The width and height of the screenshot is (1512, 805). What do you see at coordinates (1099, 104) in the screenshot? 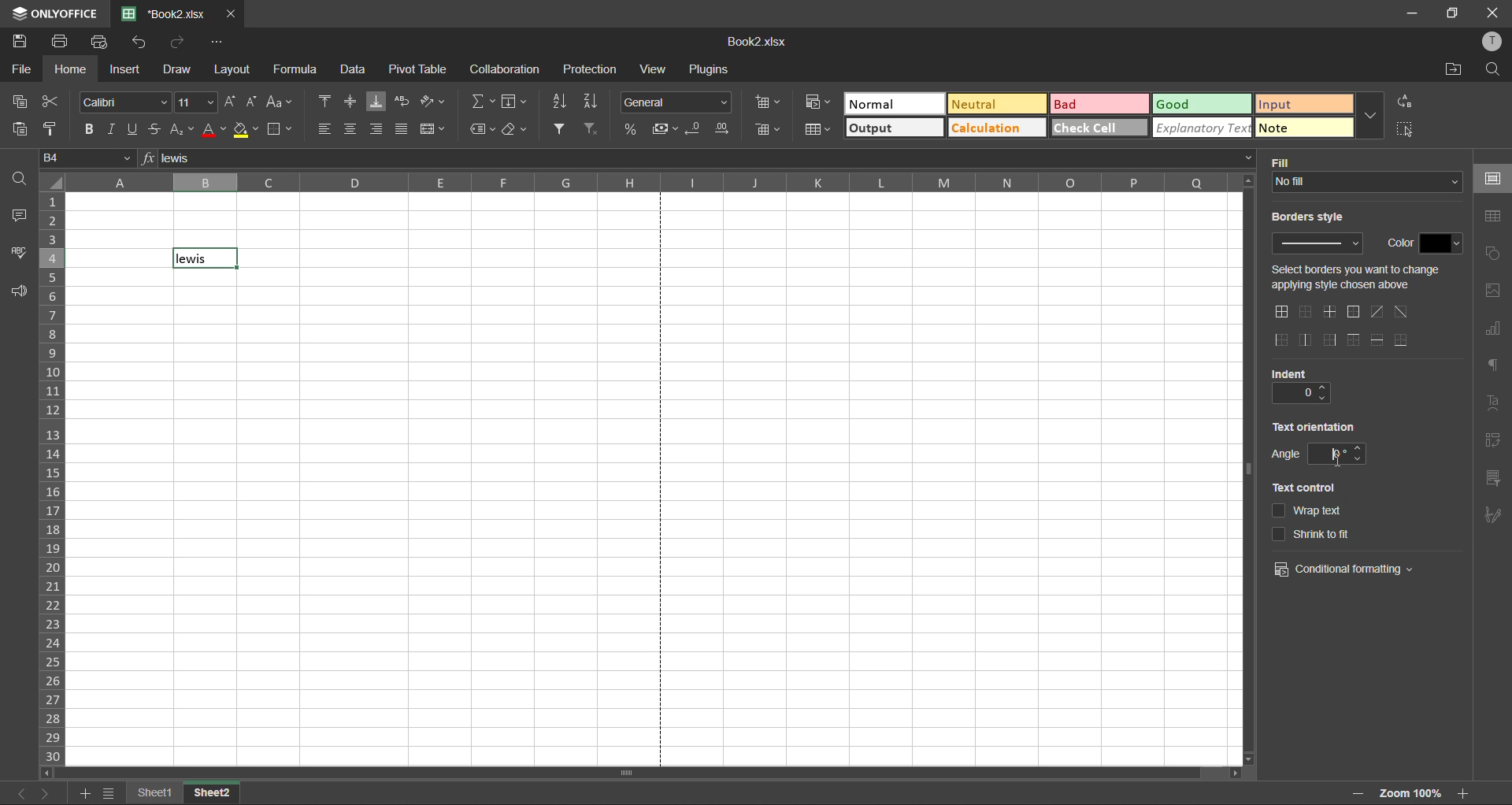
I see `bad` at bounding box center [1099, 104].